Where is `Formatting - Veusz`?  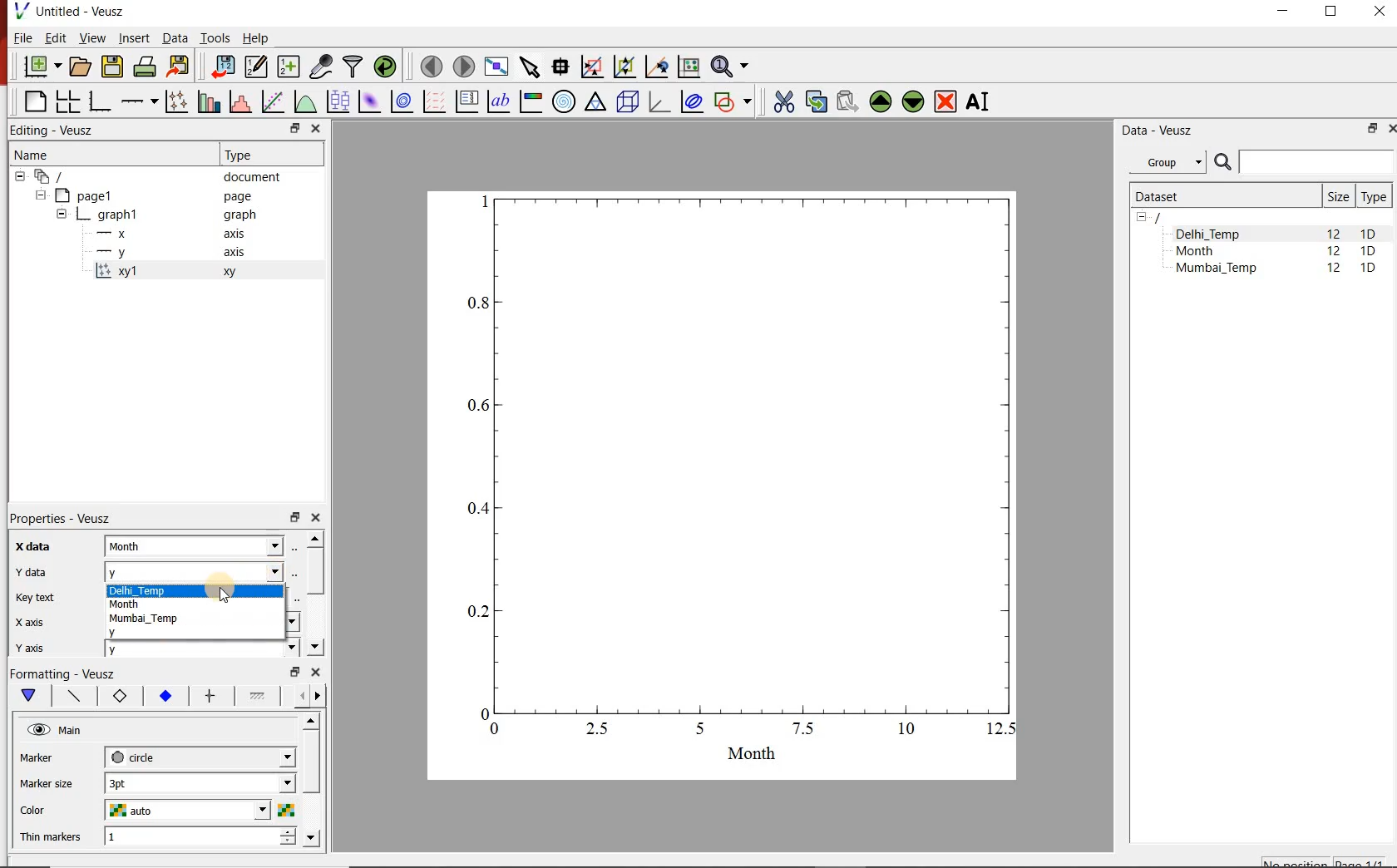 Formatting - Veusz is located at coordinates (67, 673).